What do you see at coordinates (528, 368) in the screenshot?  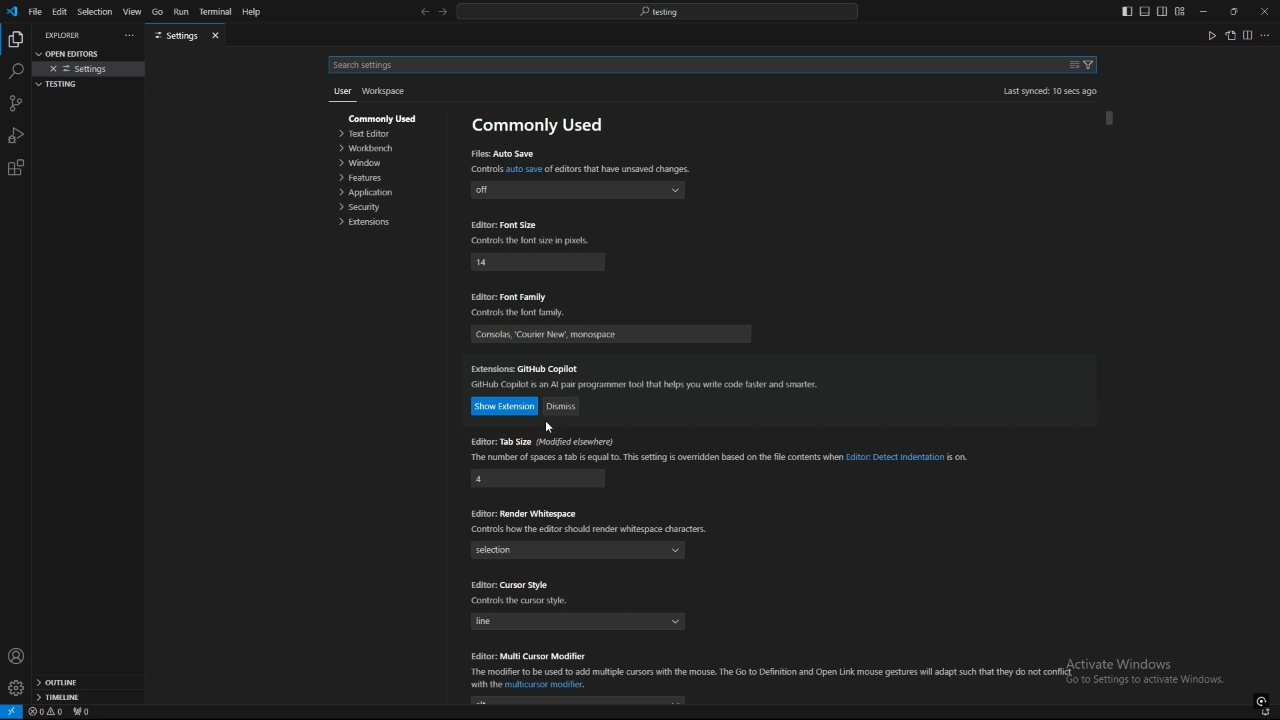 I see `extensions` at bounding box center [528, 368].